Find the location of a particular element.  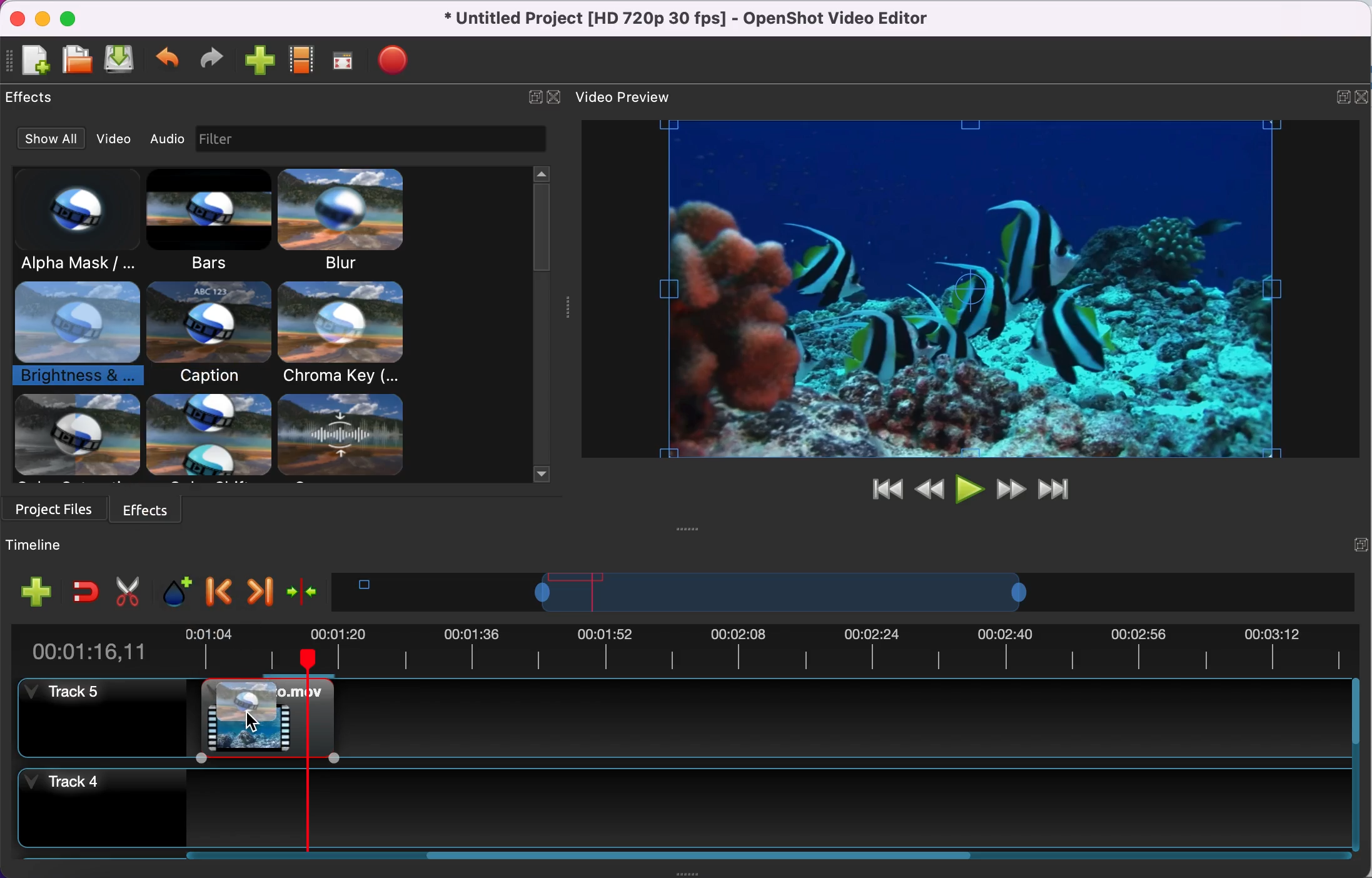

fast forward is located at coordinates (1009, 489).